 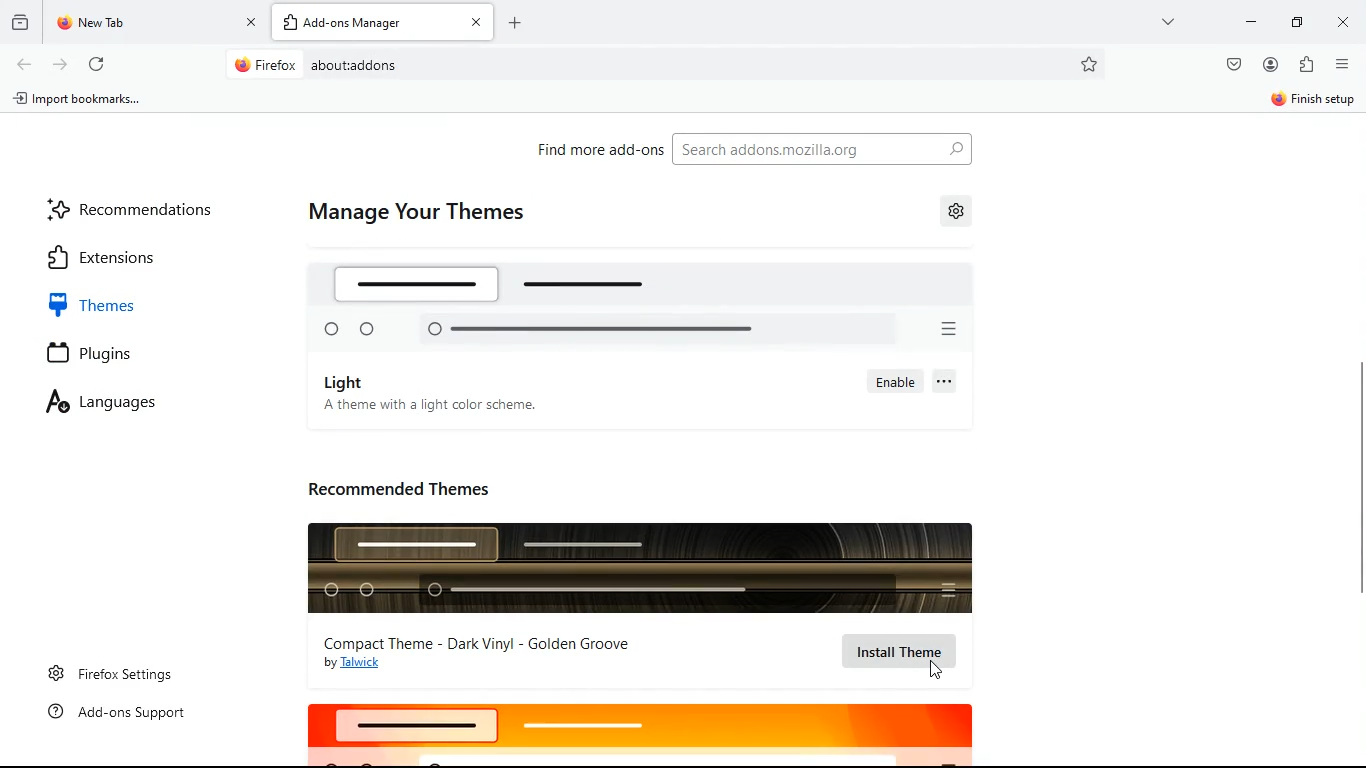 What do you see at coordinates (824, 150) in the screenshot?
I see `search` at bounding box center [824, 150].